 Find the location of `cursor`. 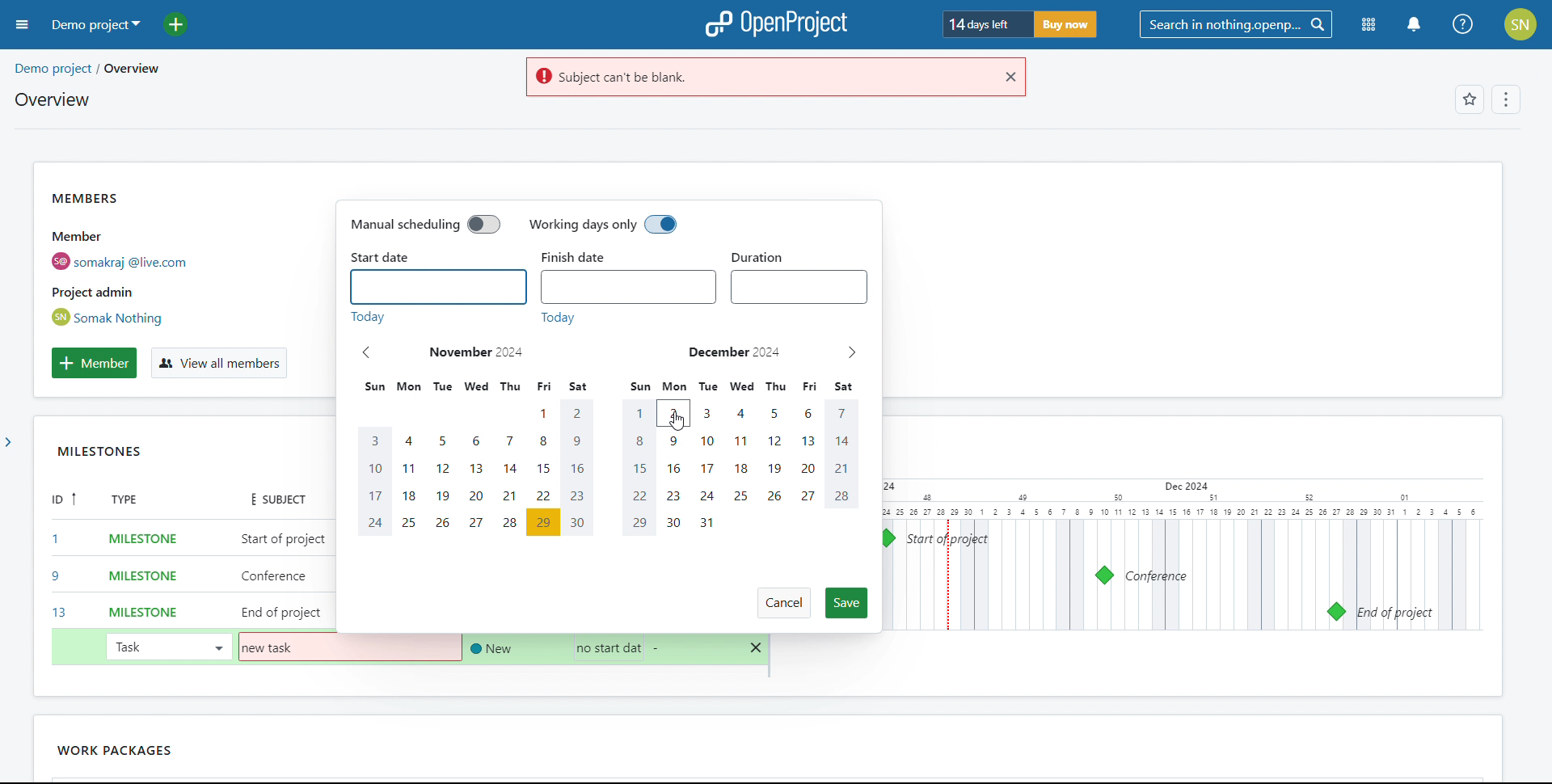

cursor is located at coordinates (681, 421).